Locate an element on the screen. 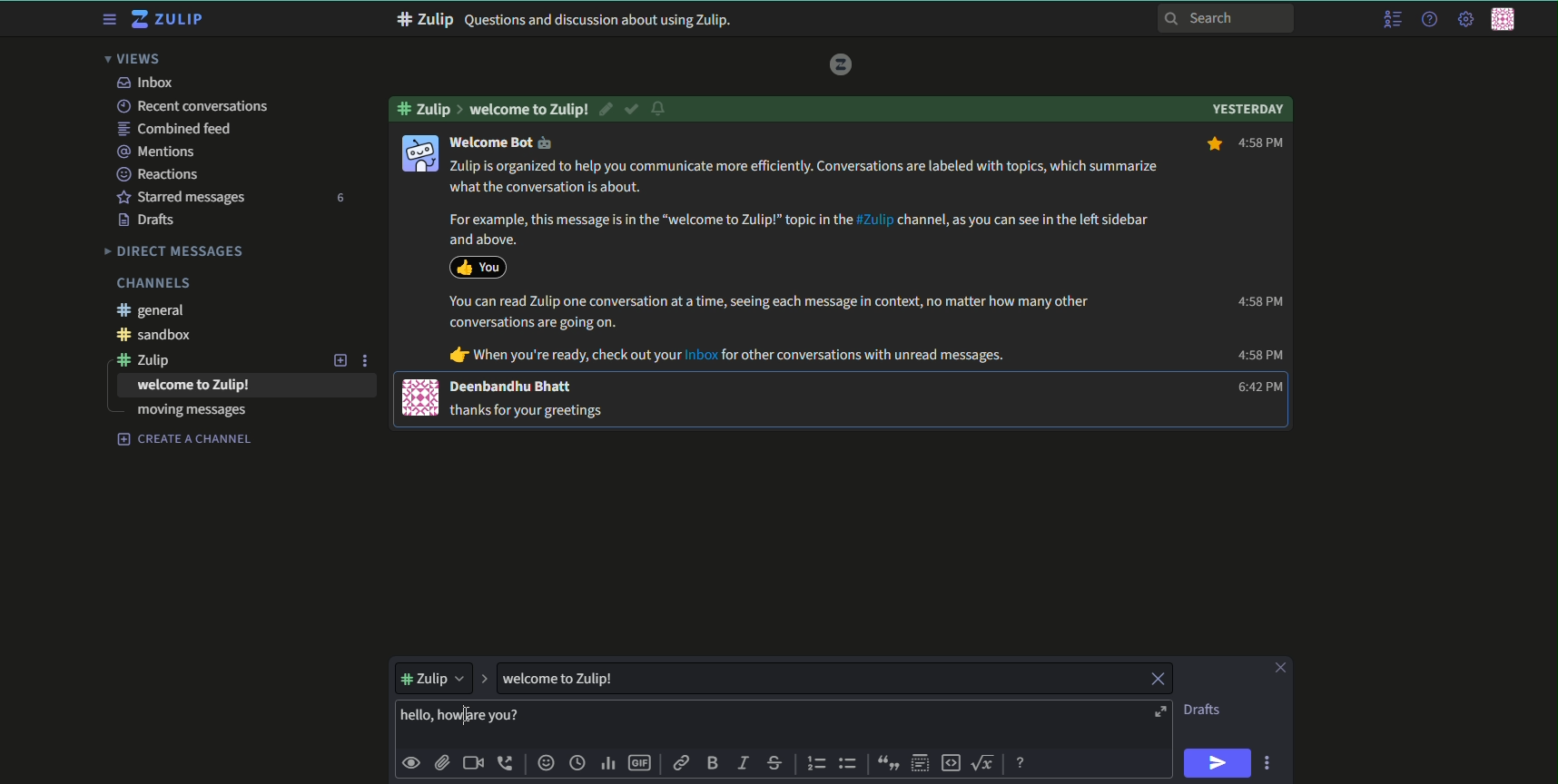 This screenshot has width=1558, height=784. time is located at coordinates (579, 764).